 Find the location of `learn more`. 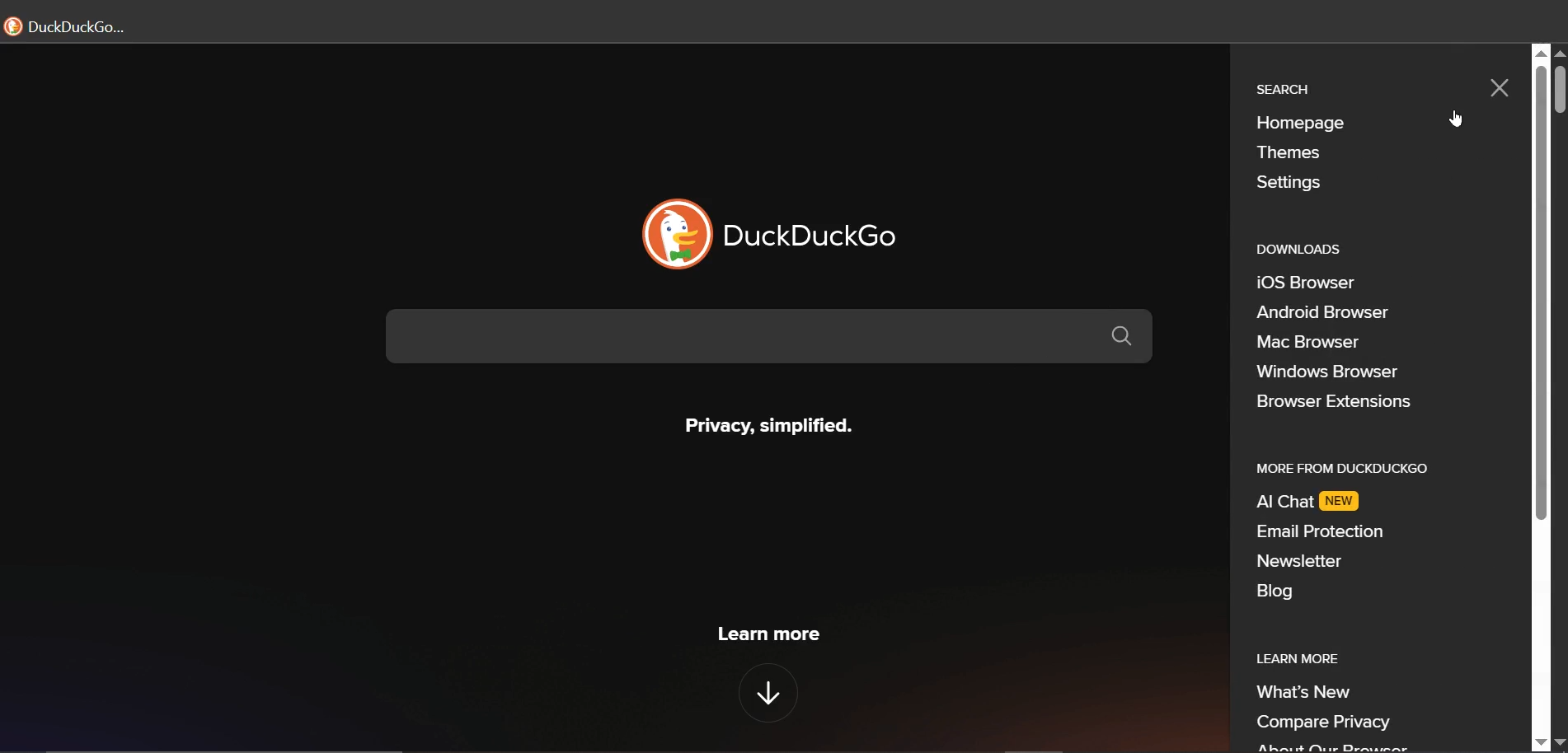

learn more is located at coordinates (766, 634).